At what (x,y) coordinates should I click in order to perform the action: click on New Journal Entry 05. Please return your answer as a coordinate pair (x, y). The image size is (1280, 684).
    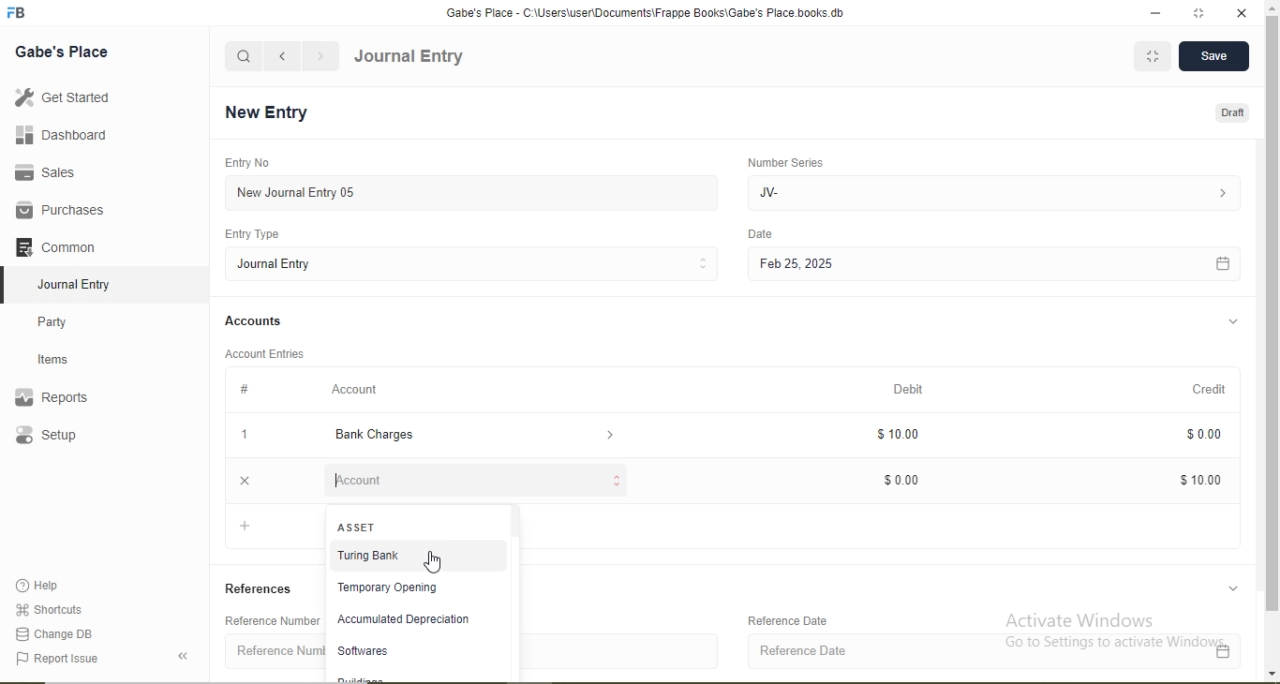
    Looking at the image, I should click on (478, 192).